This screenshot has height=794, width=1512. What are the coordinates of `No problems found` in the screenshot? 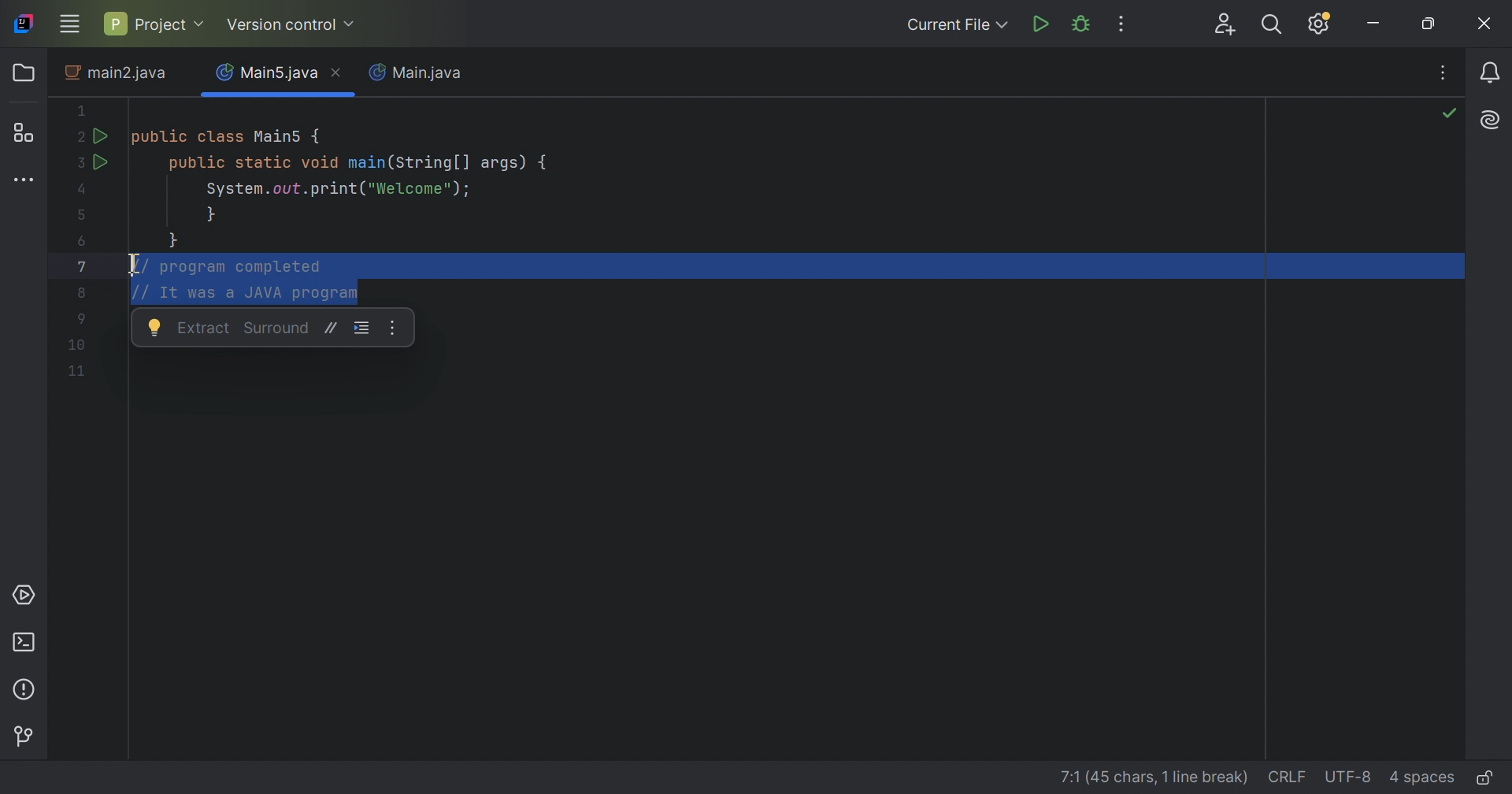 It's located at (1451, 116).